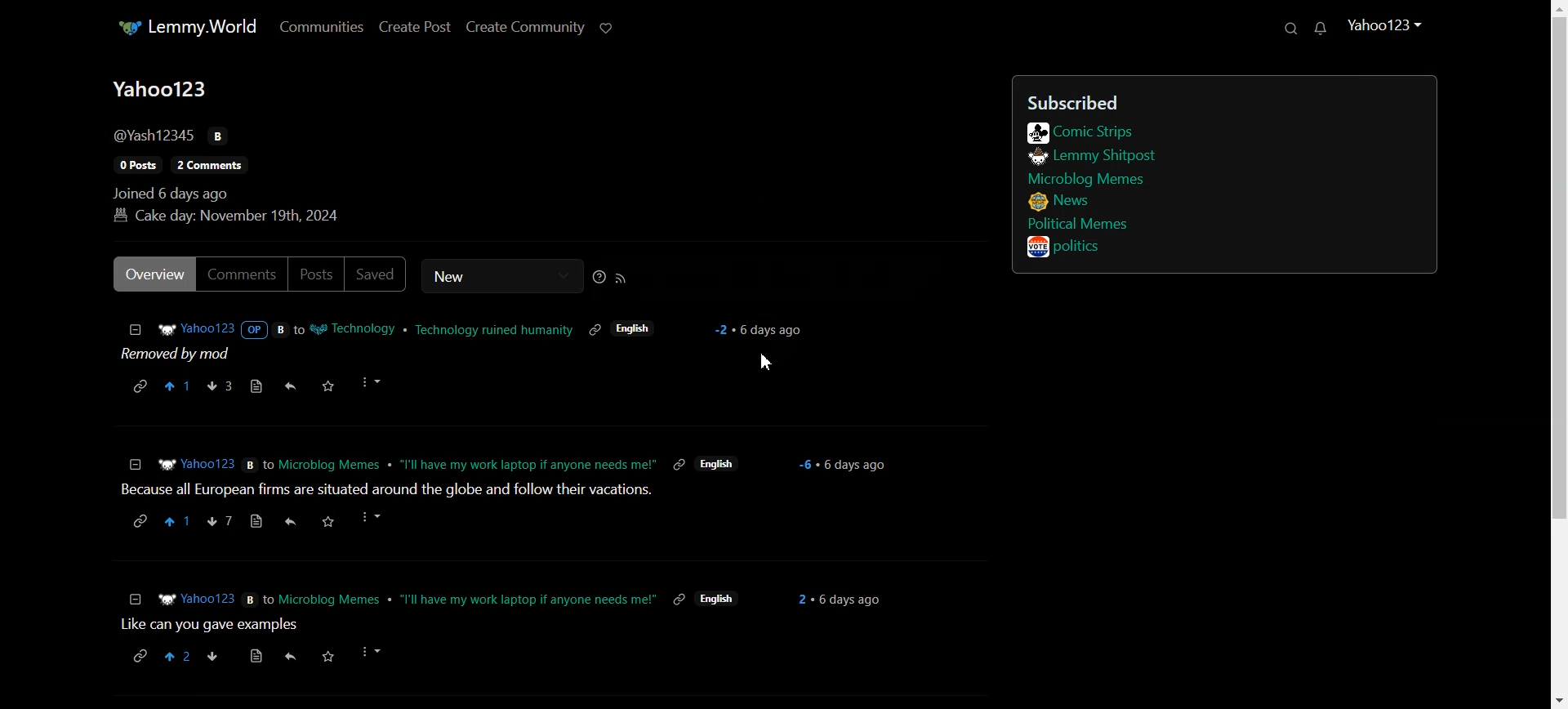 The image size is (1568, 709). I want to click on Create Community, so click(525, 27).